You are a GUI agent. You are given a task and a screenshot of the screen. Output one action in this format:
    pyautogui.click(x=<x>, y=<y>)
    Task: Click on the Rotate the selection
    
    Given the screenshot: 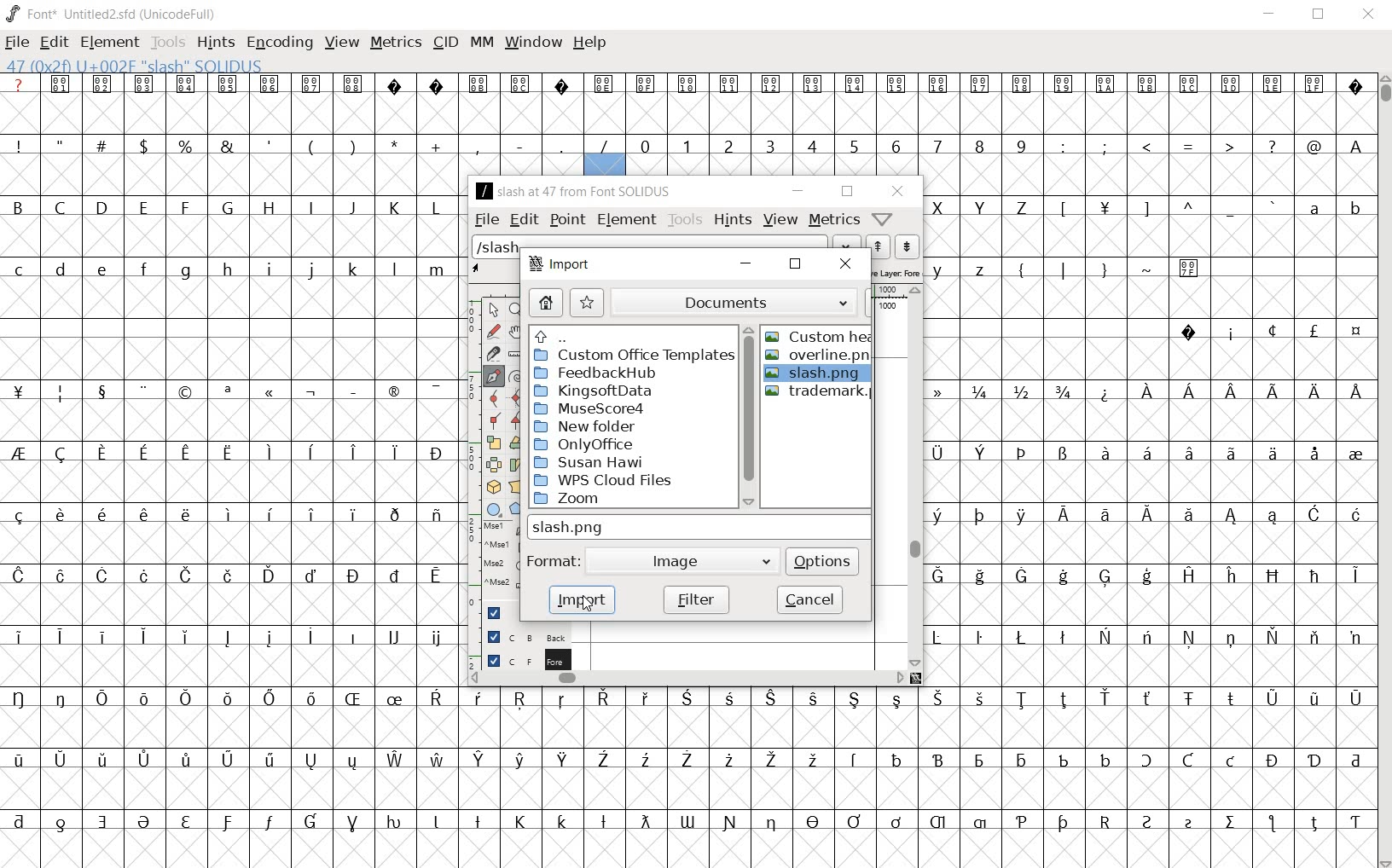 What is the action you would take?
    pyautogui.click(x=516, y=445)
    